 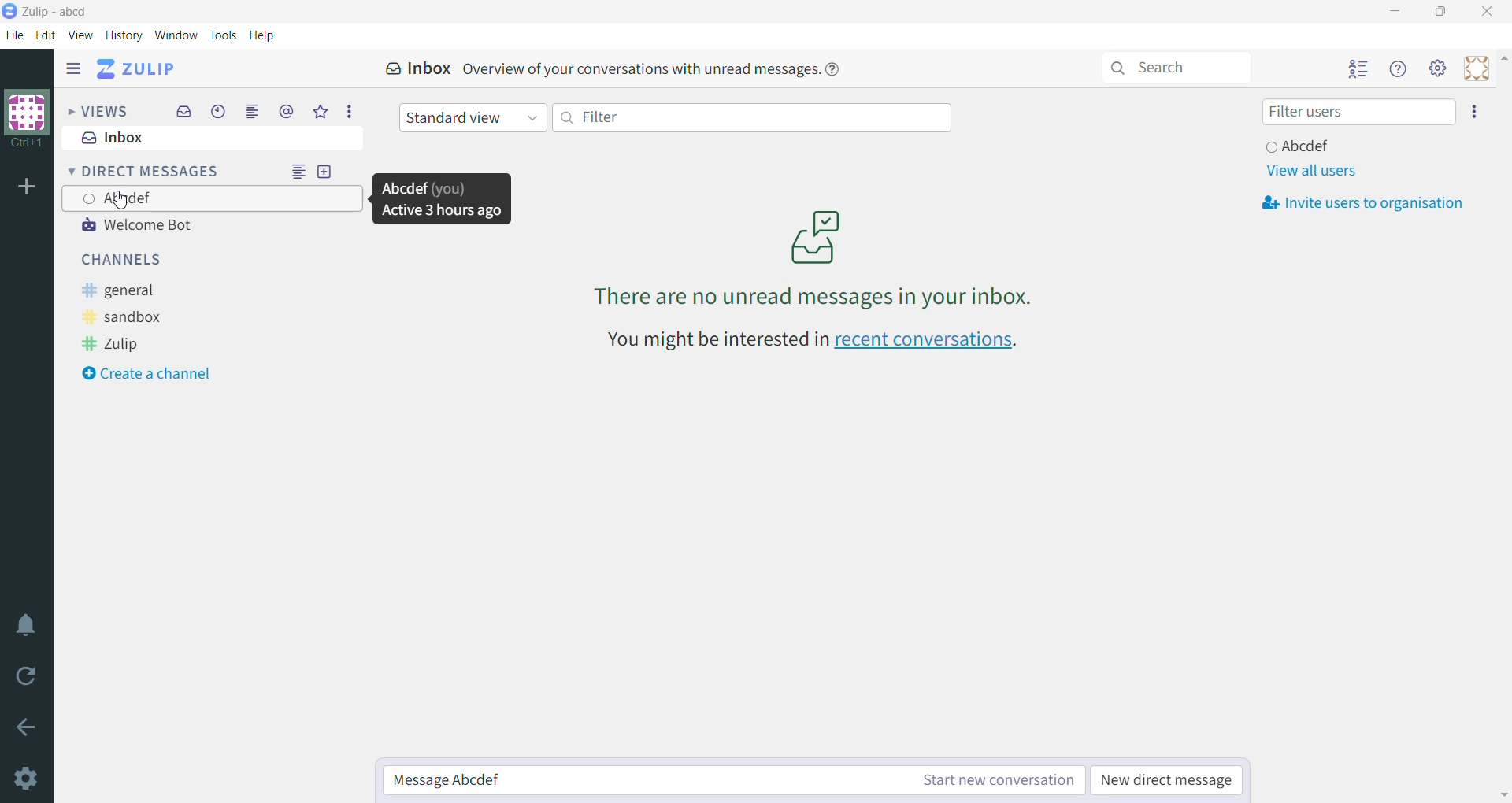 What do you see at coordinates (64, 9) in the screenshot?
I see `Application Name - Organization Name` at bounding box center [64, 9].